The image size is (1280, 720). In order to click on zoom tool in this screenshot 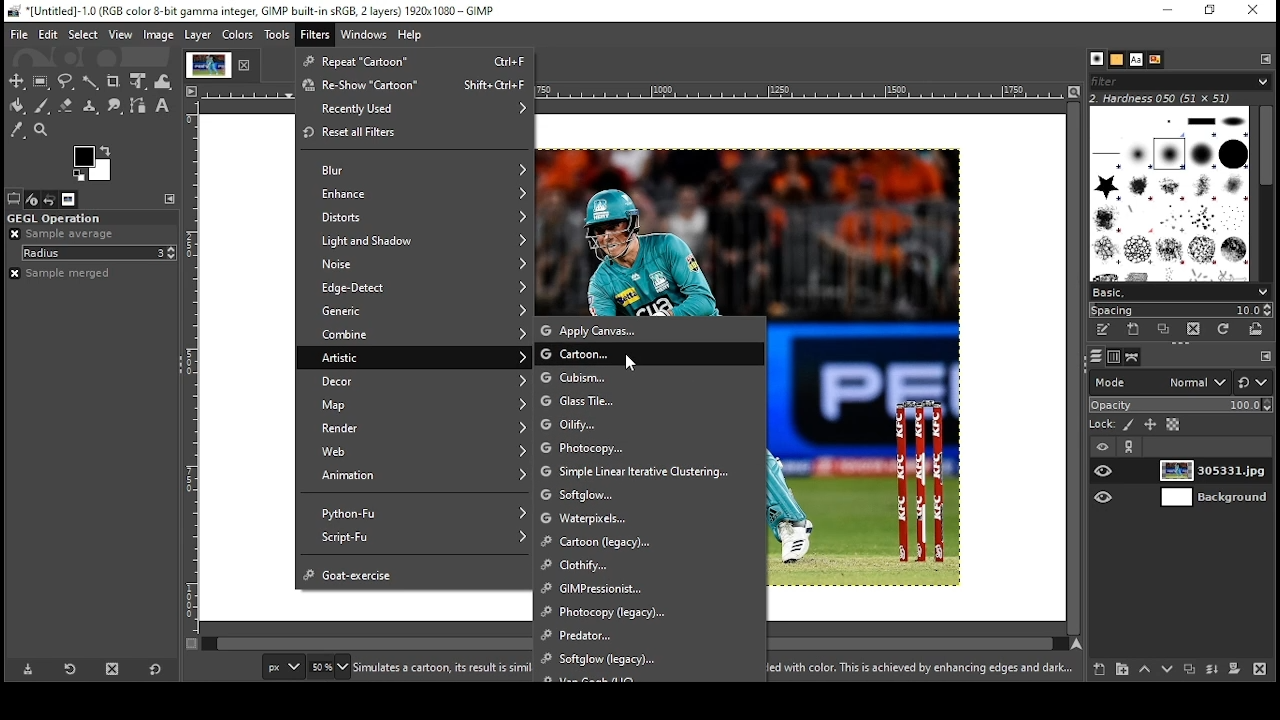, I will do `click(42, 130)`.